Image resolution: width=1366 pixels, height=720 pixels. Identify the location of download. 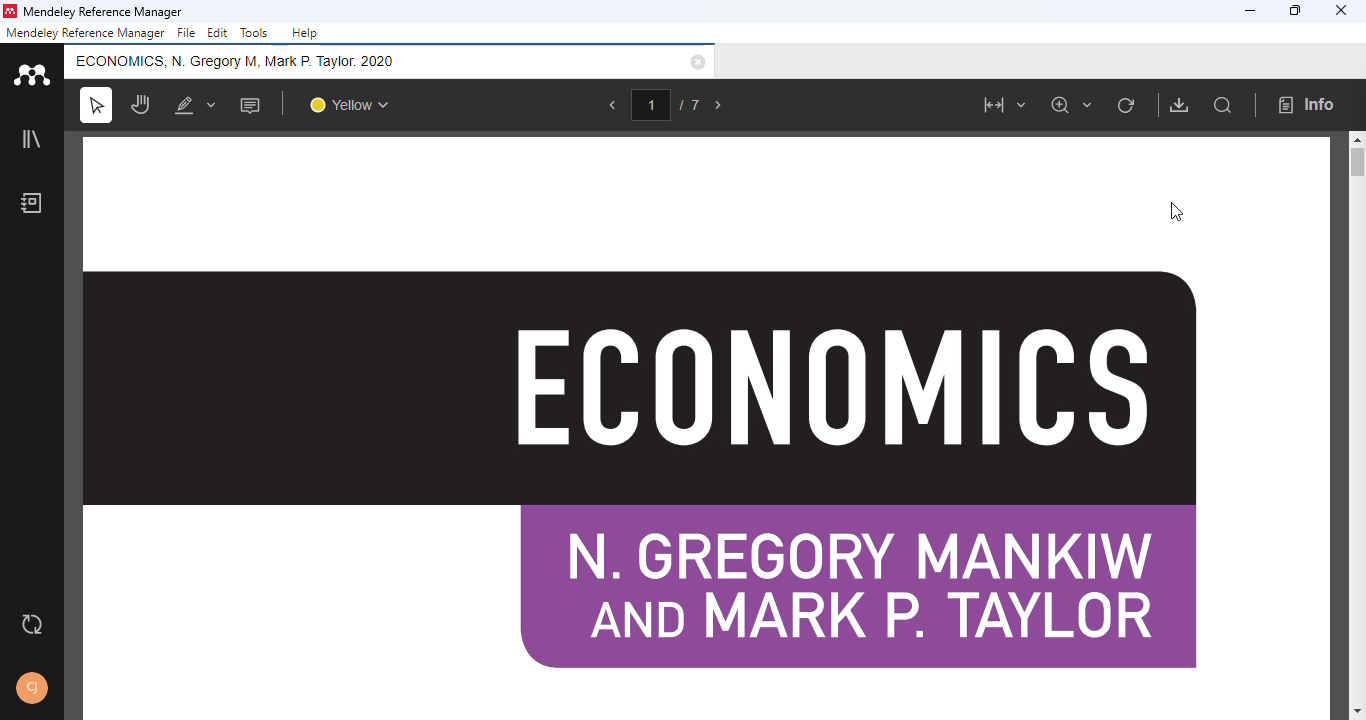
(1179, 105).